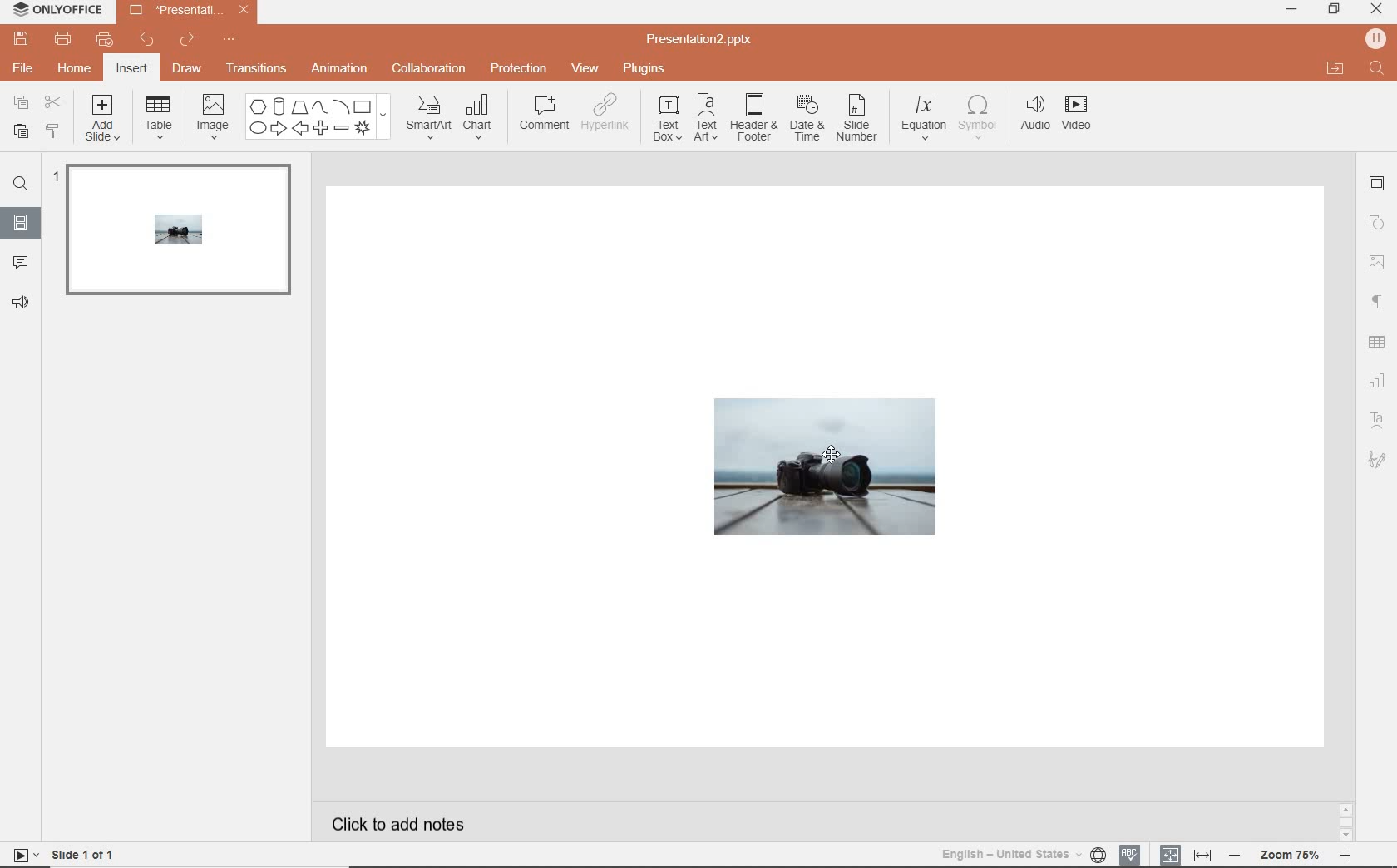 The width and height of the screenshot is (1397, 868). Describe the element at coordinates (76, 68) in the screenshot. I see `home` at that location.